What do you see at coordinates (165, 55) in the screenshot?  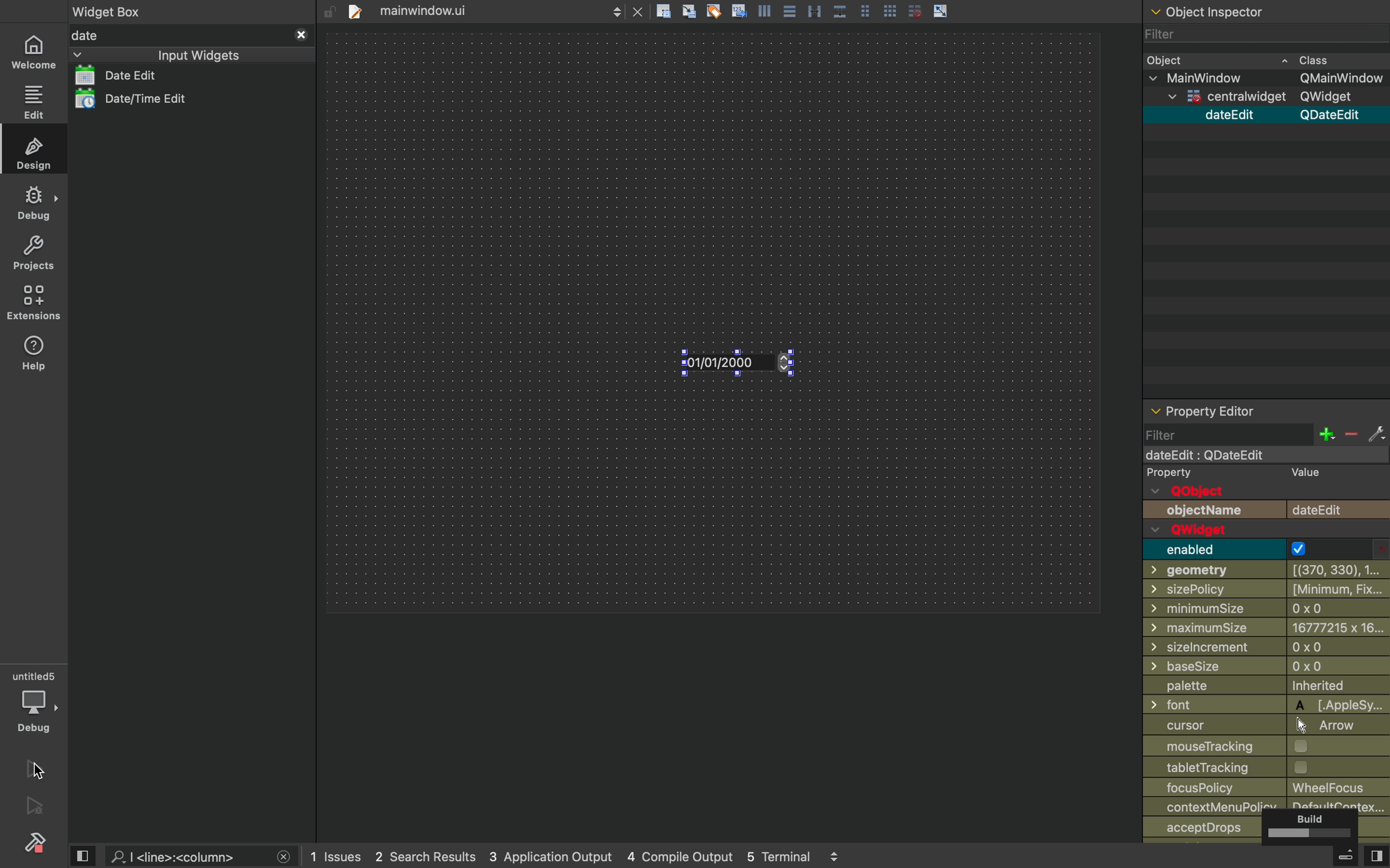 I see `input widgets` at bounding box center [165, 55].